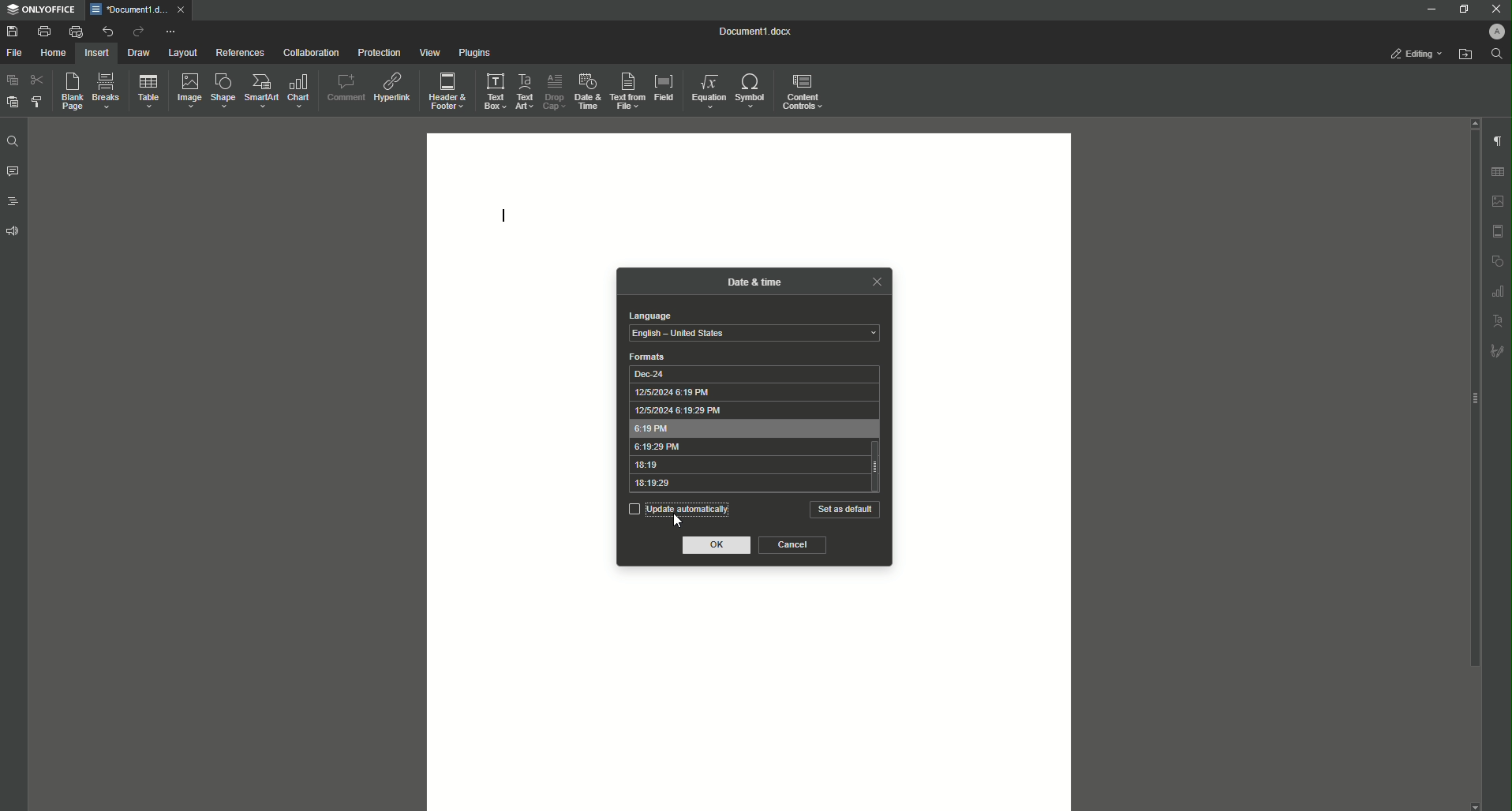  Describe the element at coordinates (553, 90) in the screenshot. I see `Drop Cap` at that location.